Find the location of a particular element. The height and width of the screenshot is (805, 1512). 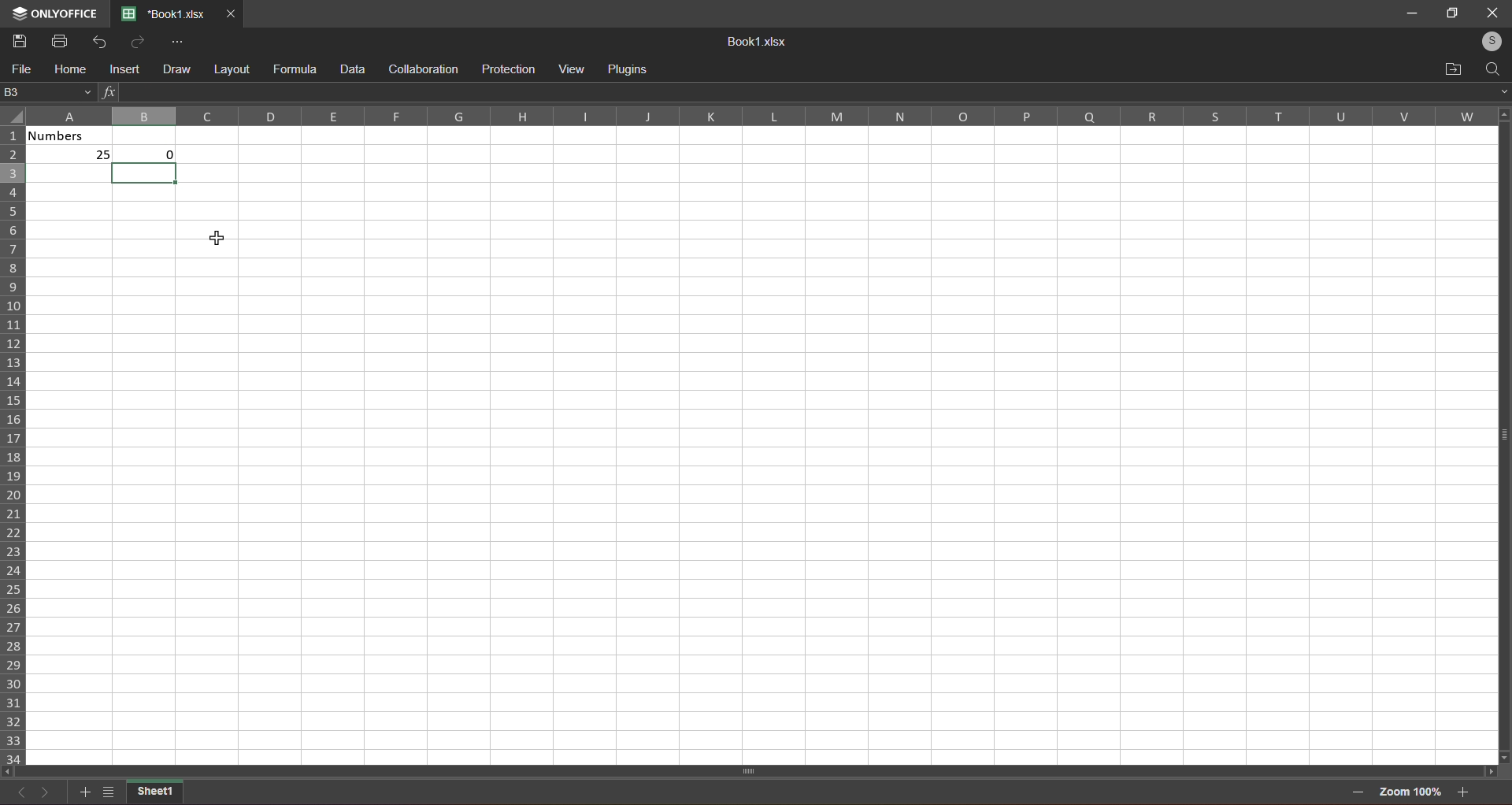

collaboration is located at coordinates (422, 68).